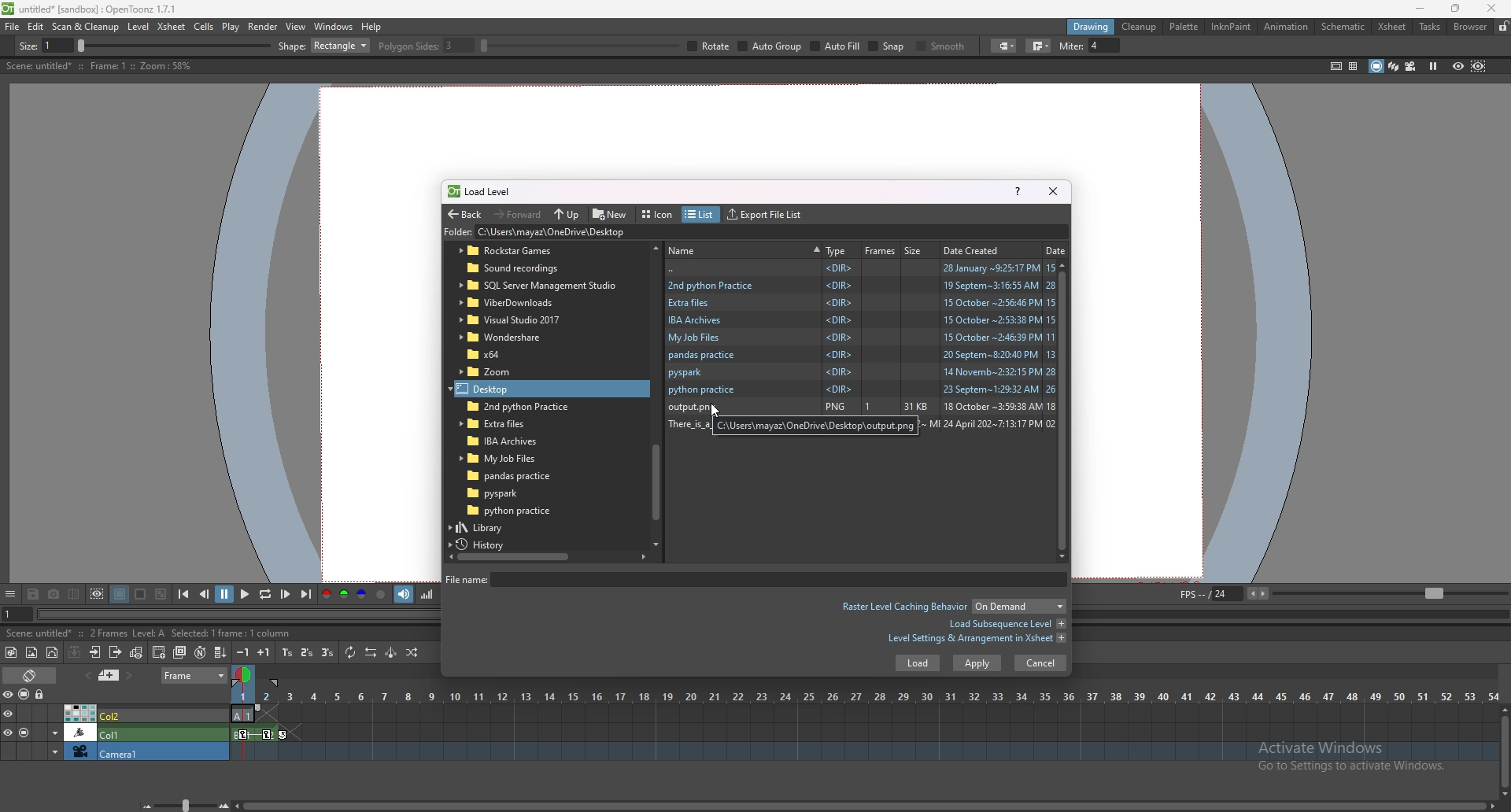 Image resolution: width=1511 pixels, height=812 pixels. I want to click on browser, so click(1471, 27).